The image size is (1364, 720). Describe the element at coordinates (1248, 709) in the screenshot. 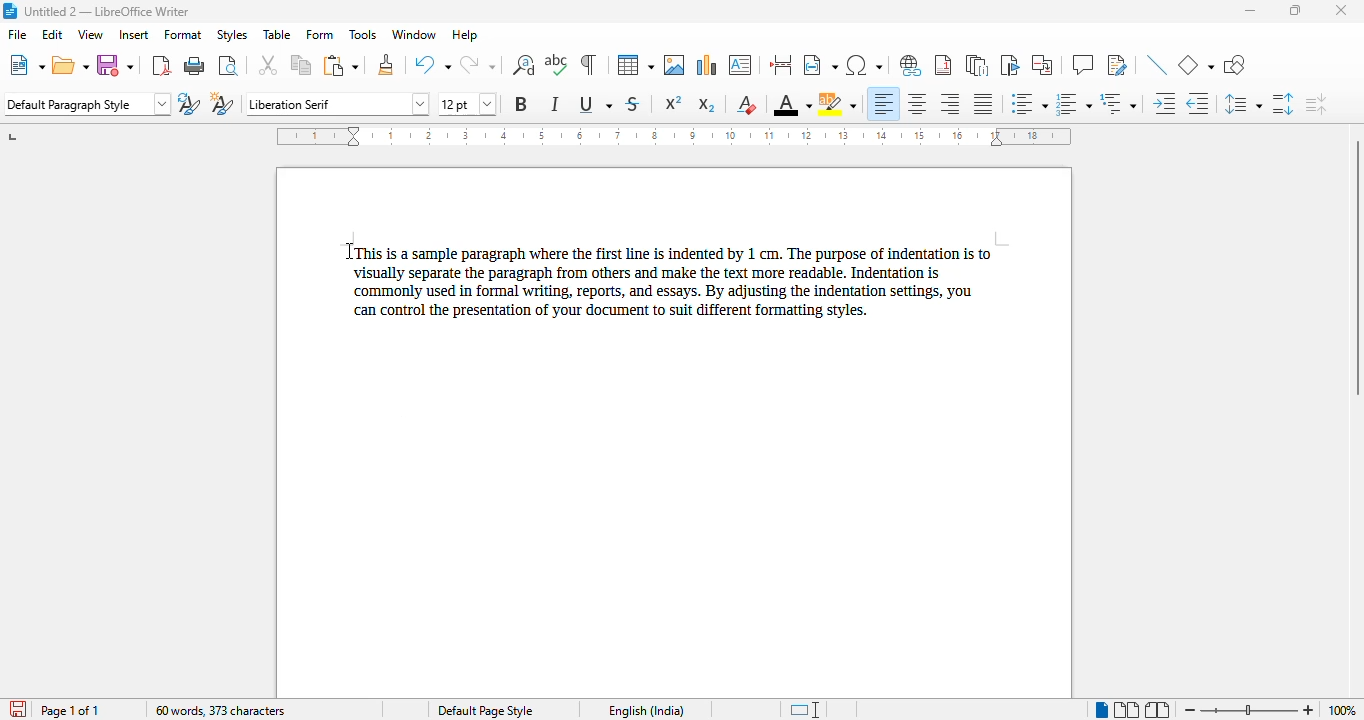

I see `zoom slider` at that location.